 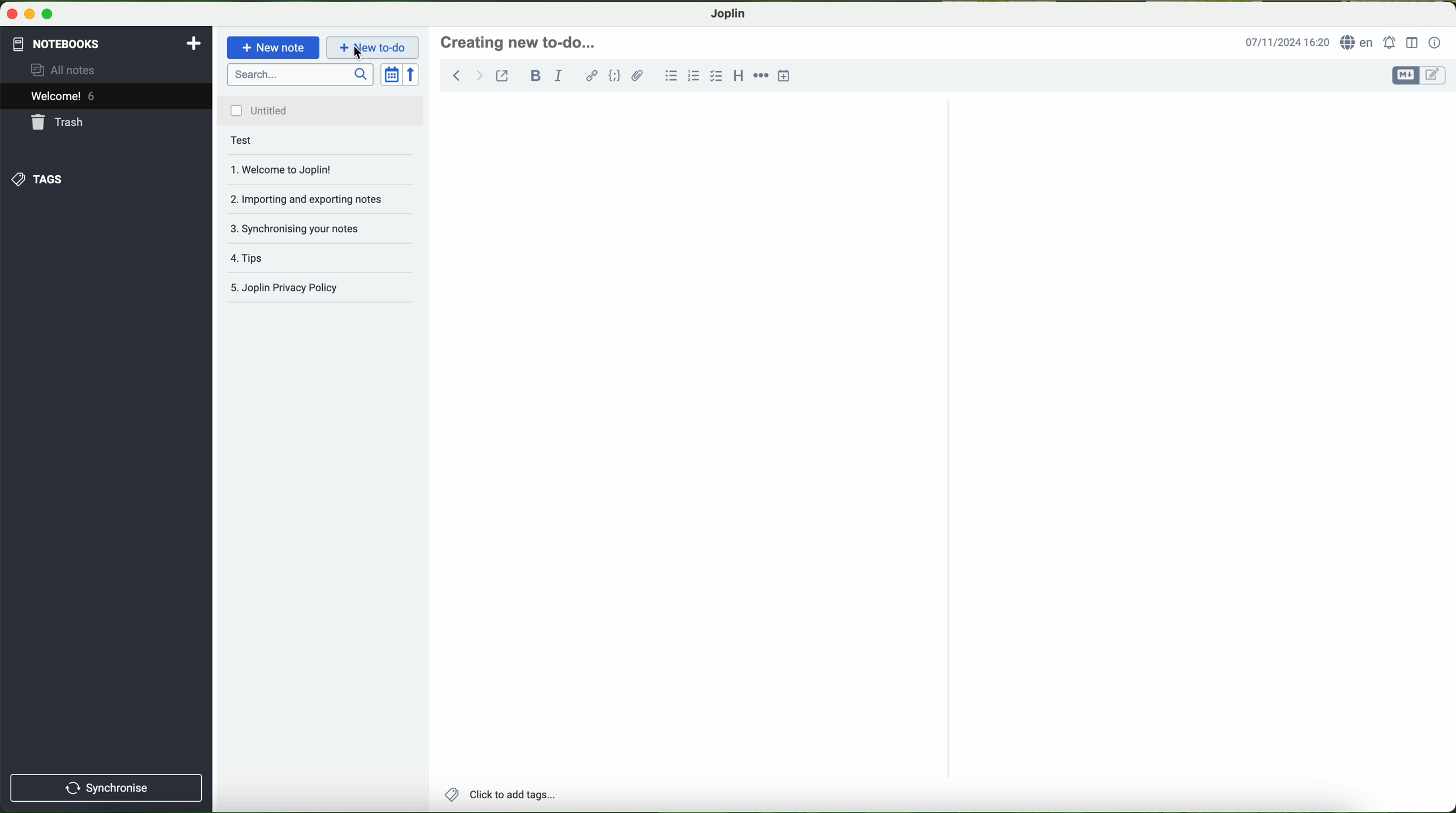 What do you see at coordinates (269, 254) in the screenshot?
I see `tips` at bounding box center [269, 254].